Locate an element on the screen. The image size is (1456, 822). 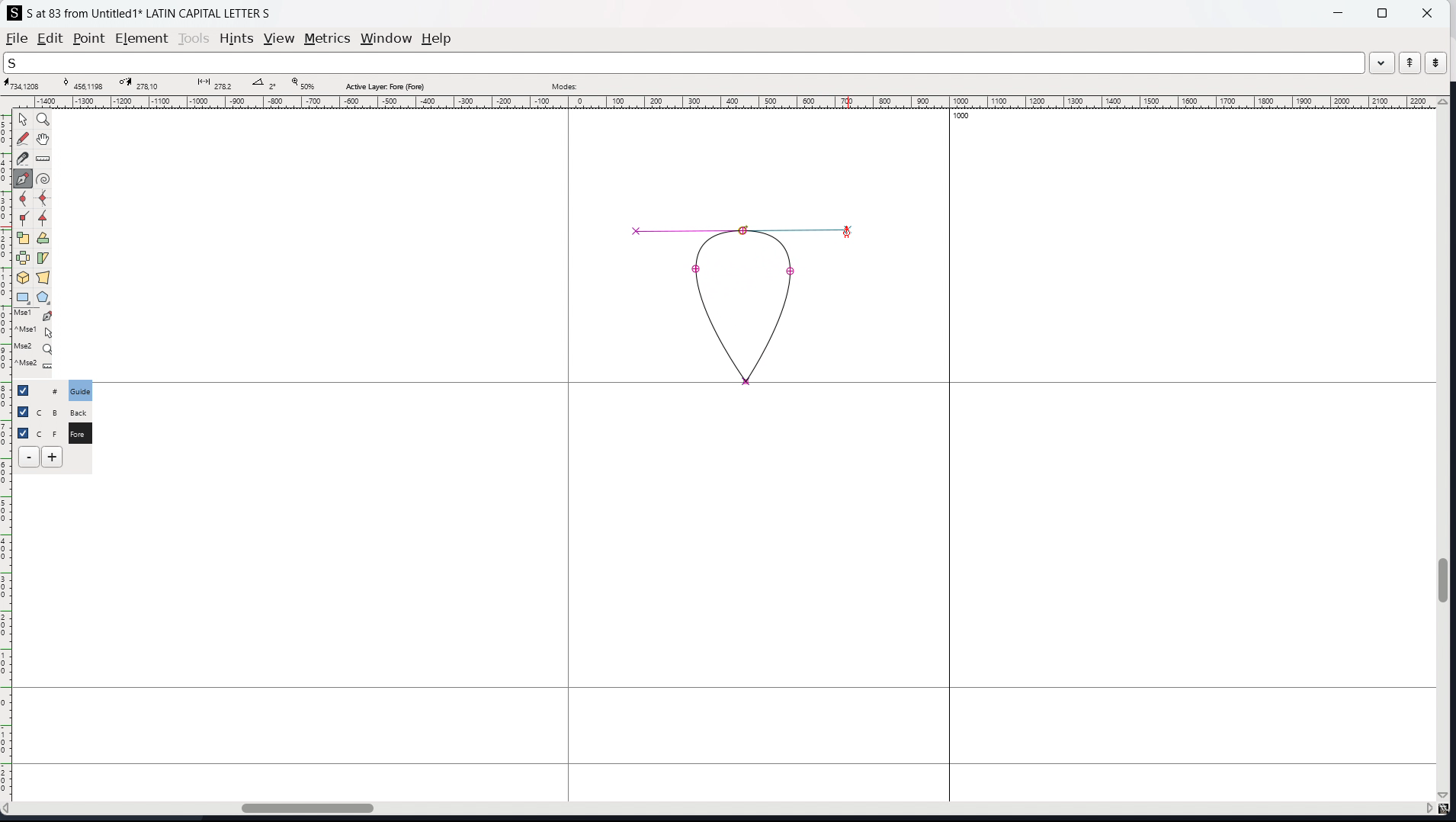
polygon and stars is located at coordinates (44, 298).